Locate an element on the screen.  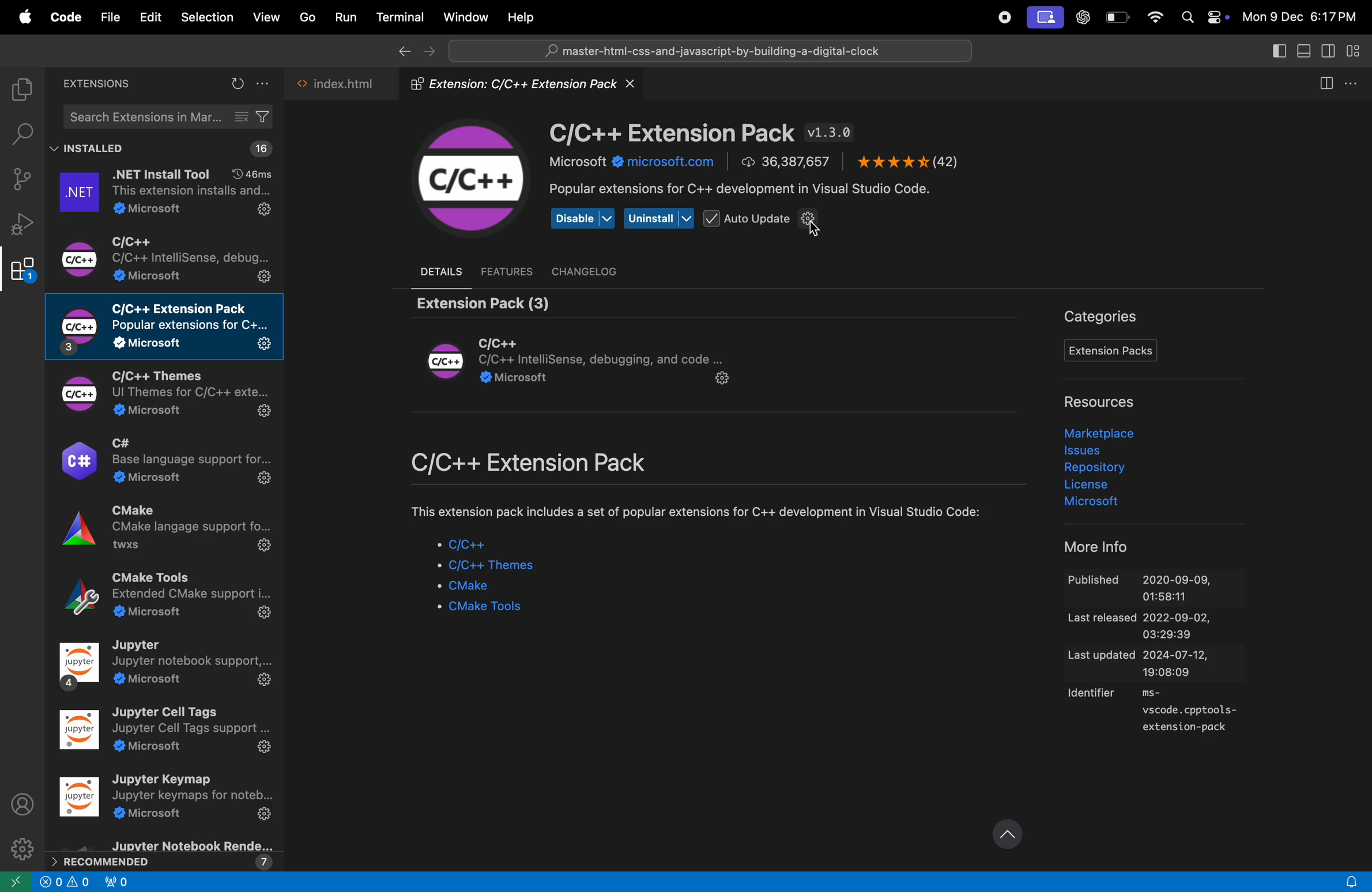
market place is located at coordinates (1105, 433).